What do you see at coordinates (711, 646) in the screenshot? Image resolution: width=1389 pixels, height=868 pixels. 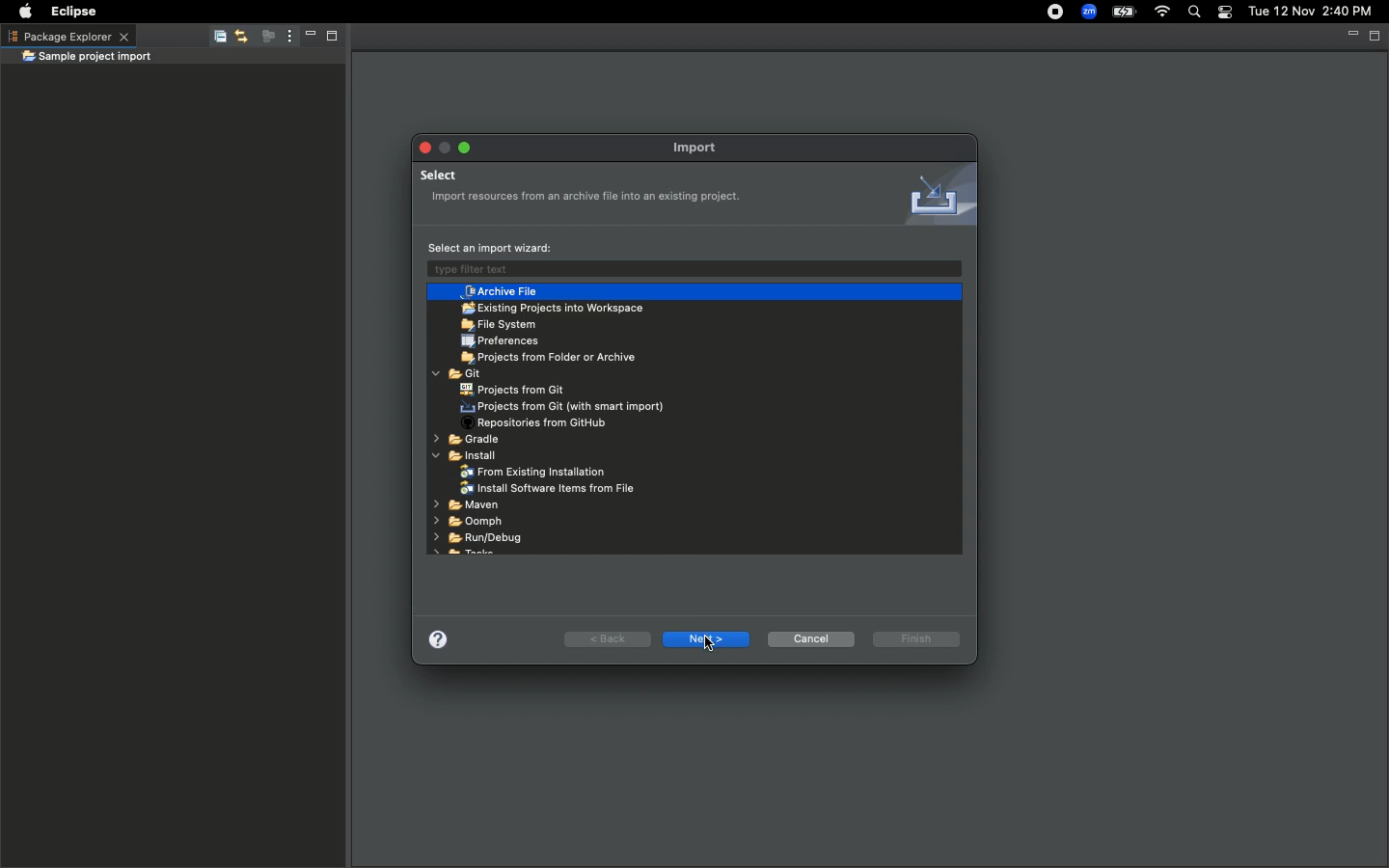 I see `Cursor` at bounding box center [711, 646].